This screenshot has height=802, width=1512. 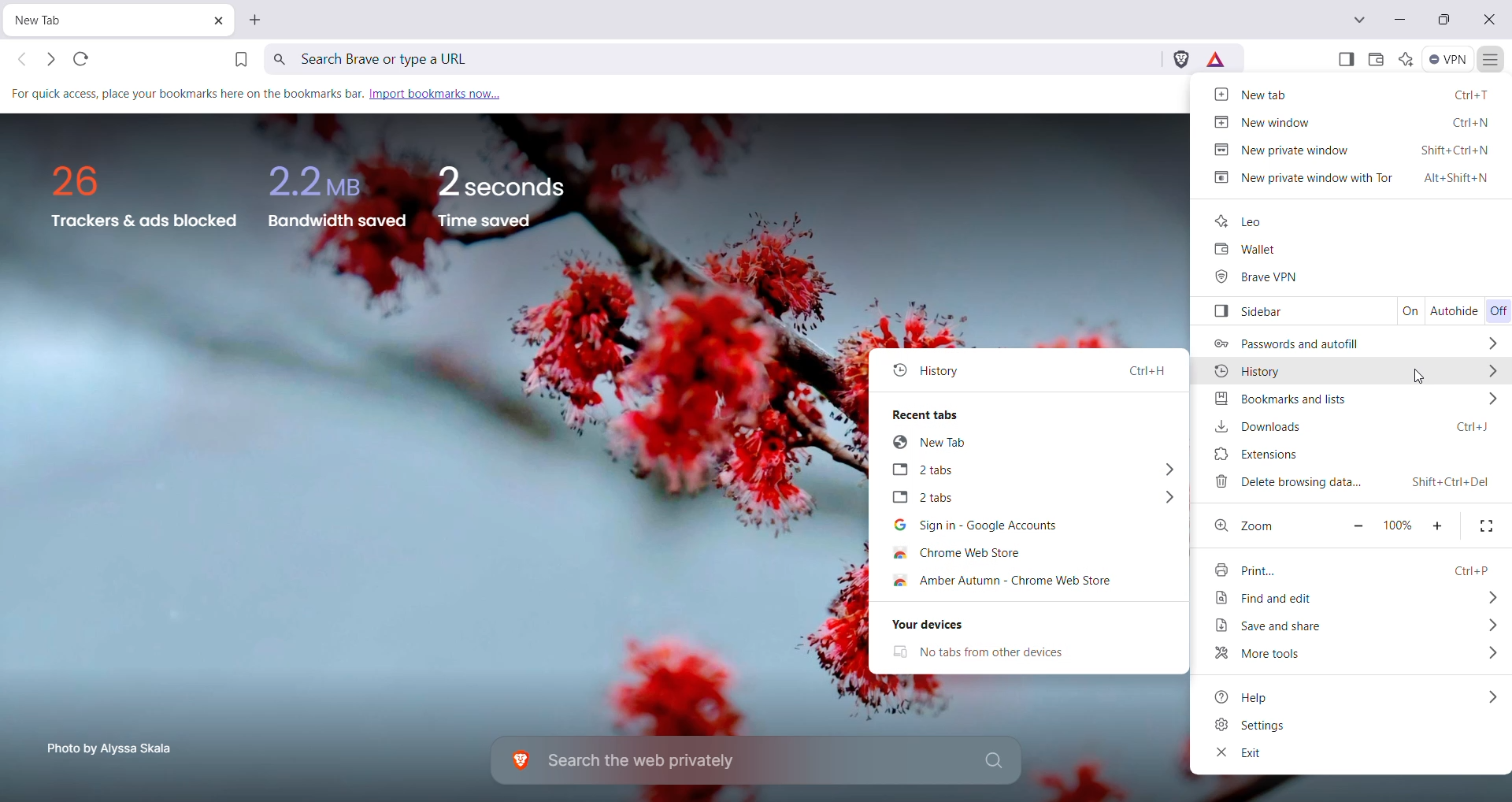 I want to click on History, so click(x=1030, y=369).